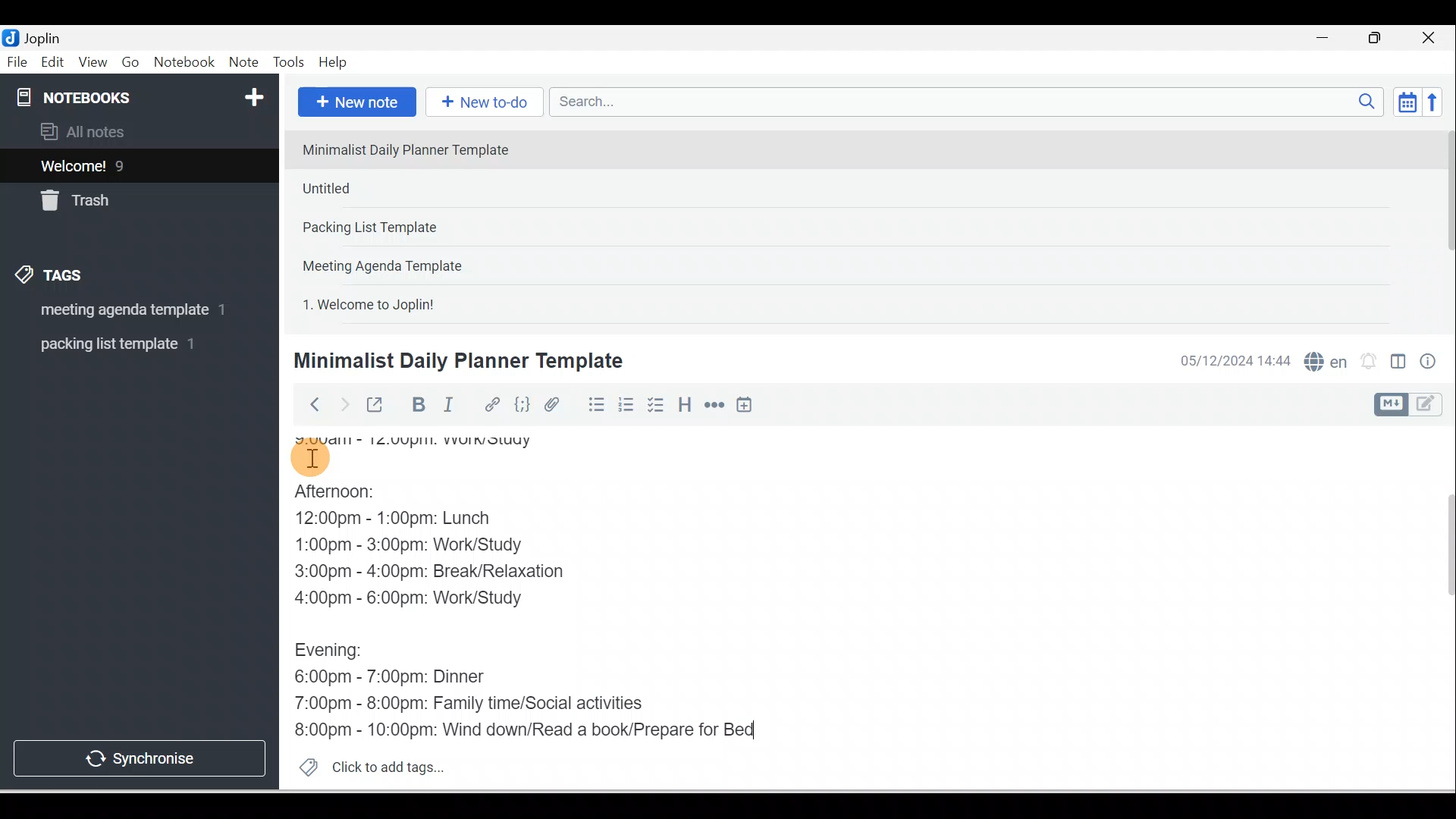 The width and height of the screenshot is (1456, 819). Describe the element at coordinates (119, 311) in the screenshot. I see `Tag 1` at that location.